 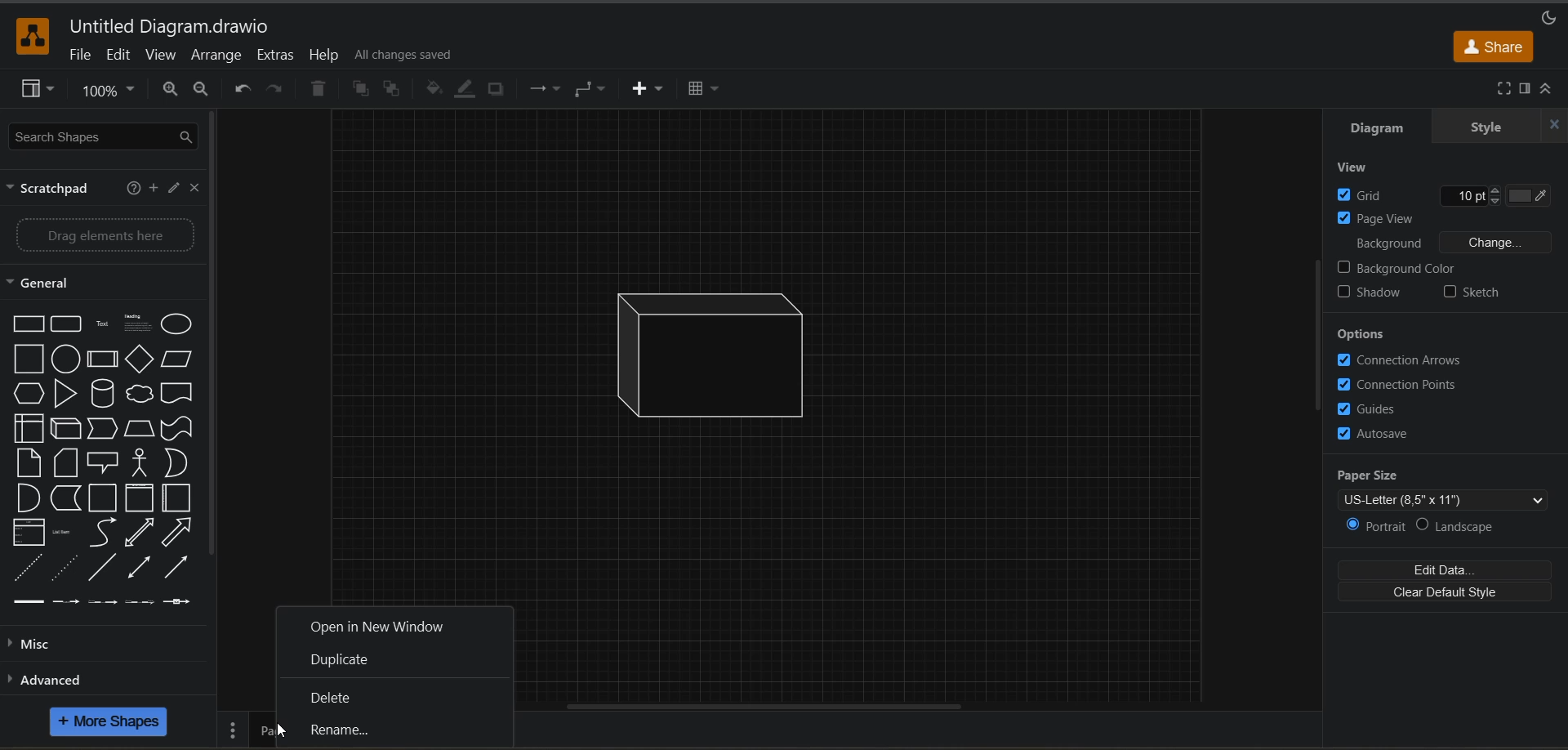 What do you see at coordinates (171, 190) in the screenshot?
I see `edit` at bounding box center [171, 190].